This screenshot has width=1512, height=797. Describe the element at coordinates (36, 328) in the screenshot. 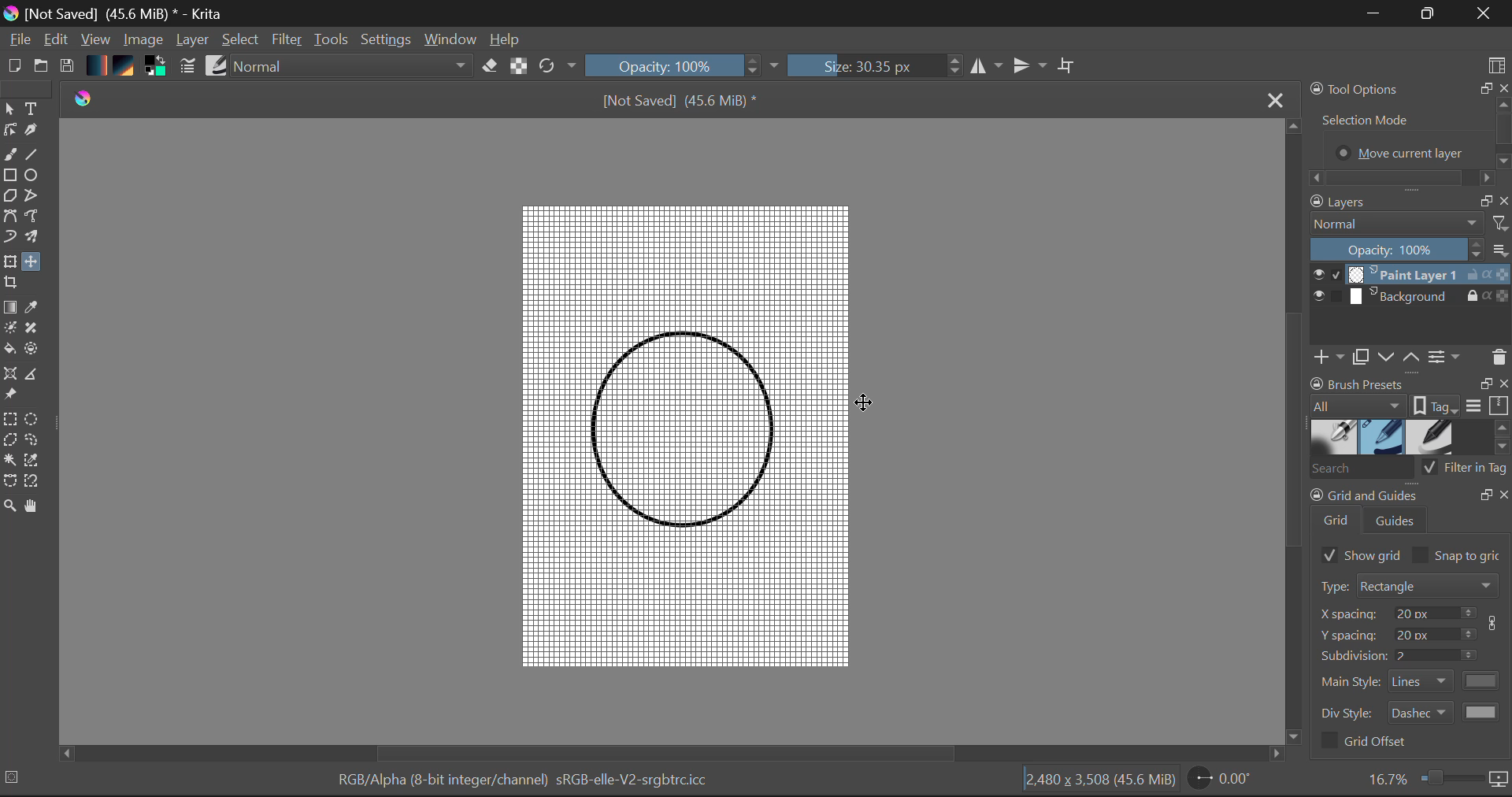

I see `Smart Patch Tool` at that location.